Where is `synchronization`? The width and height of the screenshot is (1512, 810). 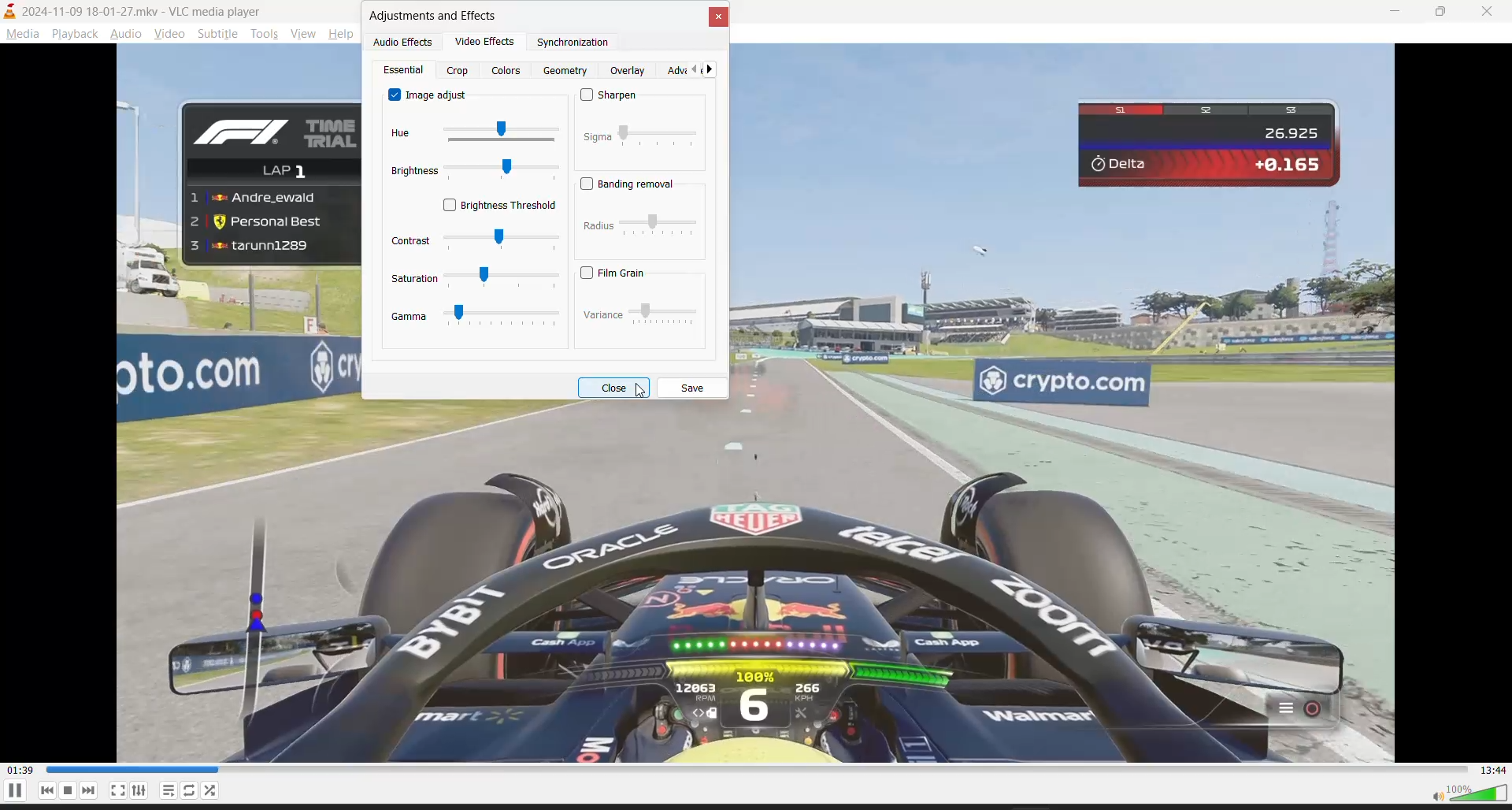
synchronization is located at coordinates (574, 43).